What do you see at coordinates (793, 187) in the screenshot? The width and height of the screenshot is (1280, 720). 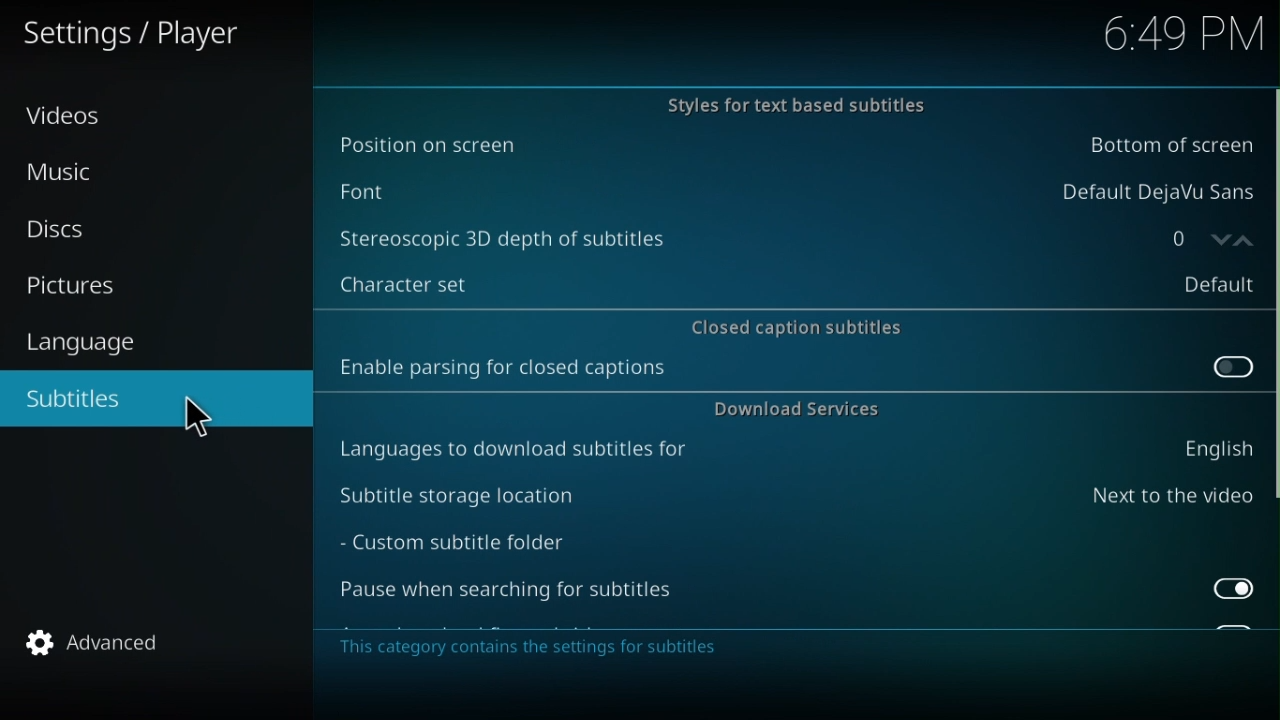 I see `Font` at bounding box center [793, 187].